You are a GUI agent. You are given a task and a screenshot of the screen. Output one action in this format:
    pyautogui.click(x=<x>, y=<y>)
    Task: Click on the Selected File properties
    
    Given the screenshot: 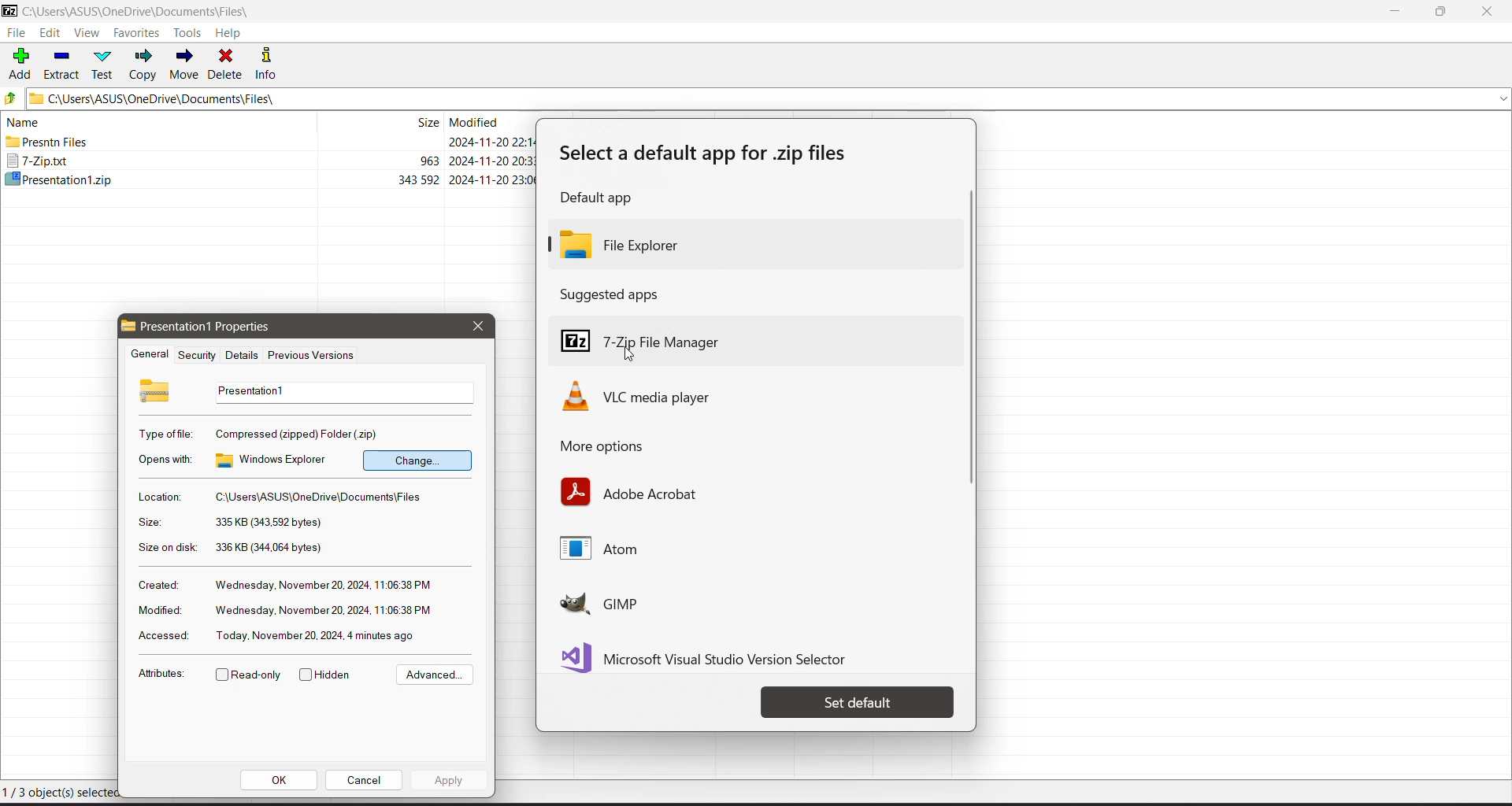 What is the action you would take?
    pyautogui.click(x=219, y=327)
    